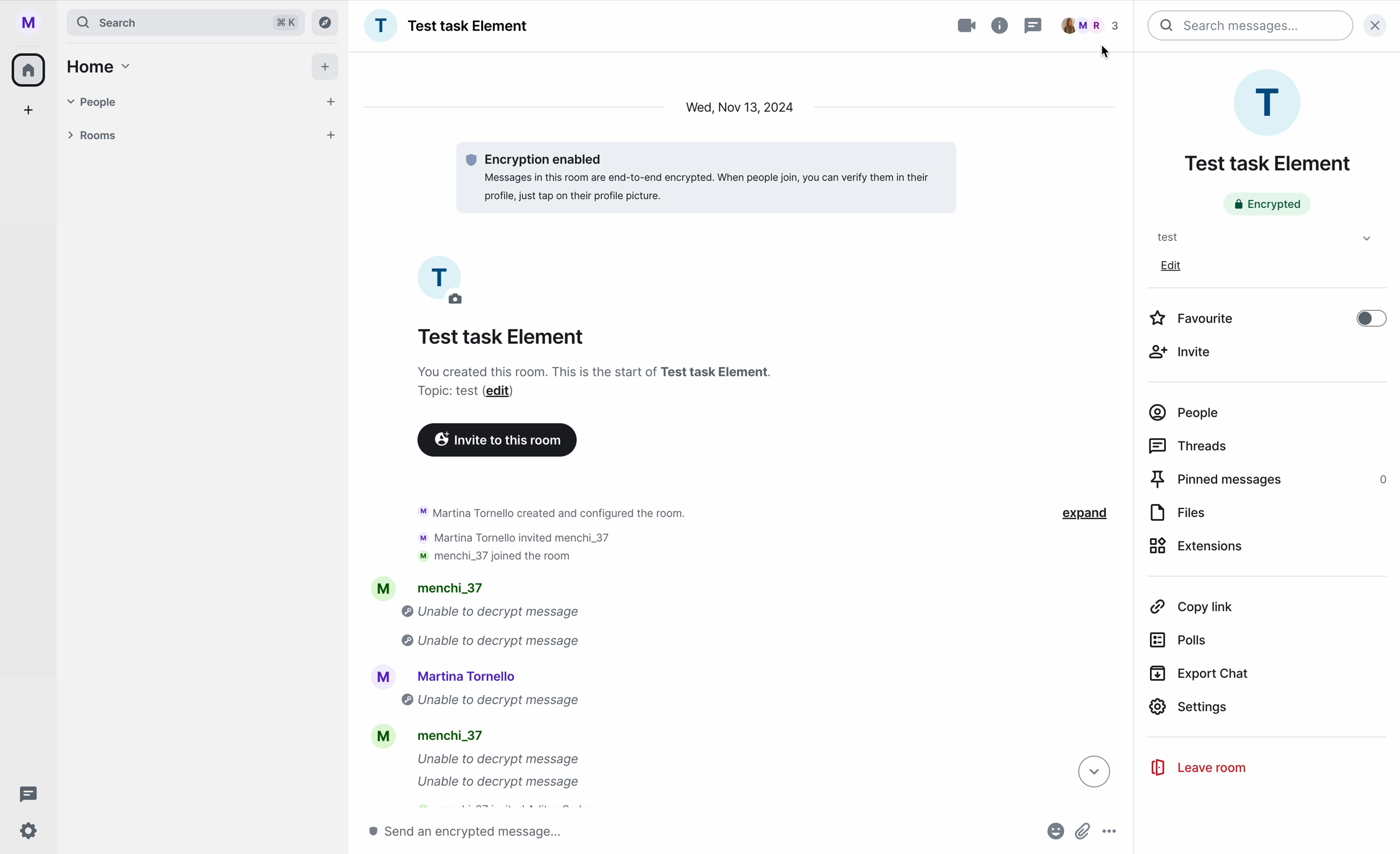 This screenshot has width=1400, height=854. I want to click on people, so click(1186, 413).